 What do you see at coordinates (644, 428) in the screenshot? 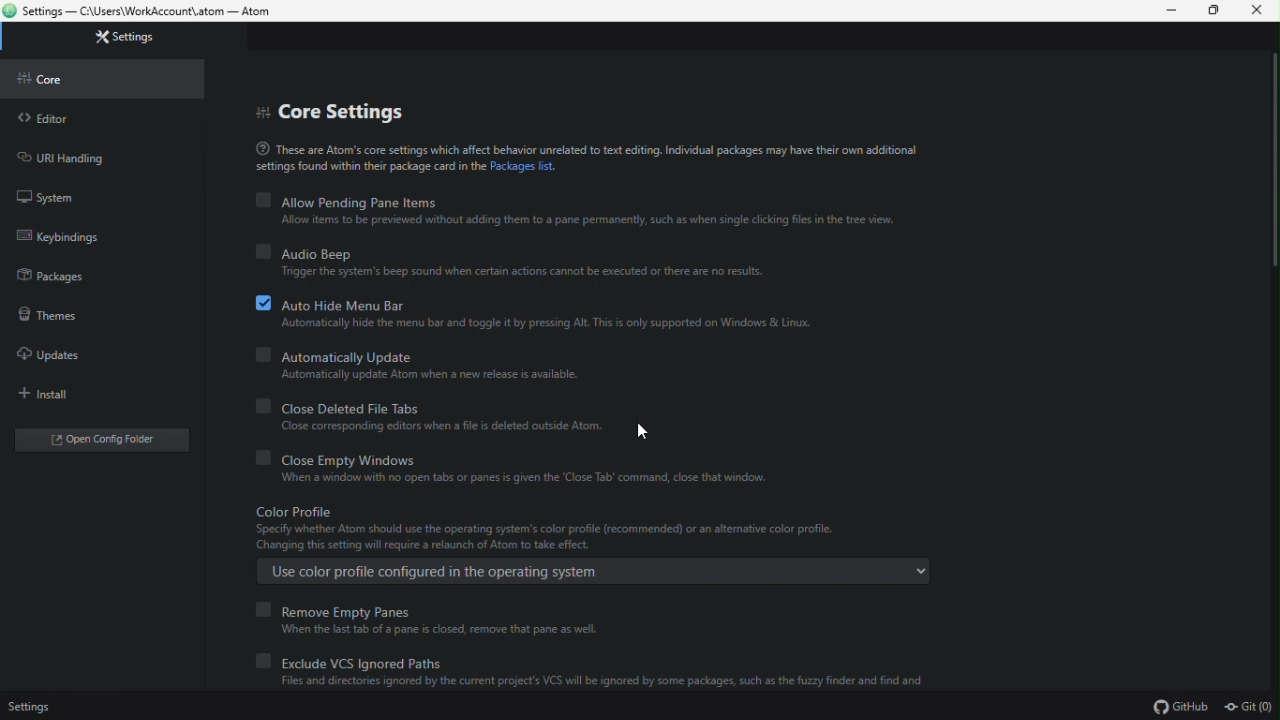
I see `Cursor` at bounding box center [644, 428].